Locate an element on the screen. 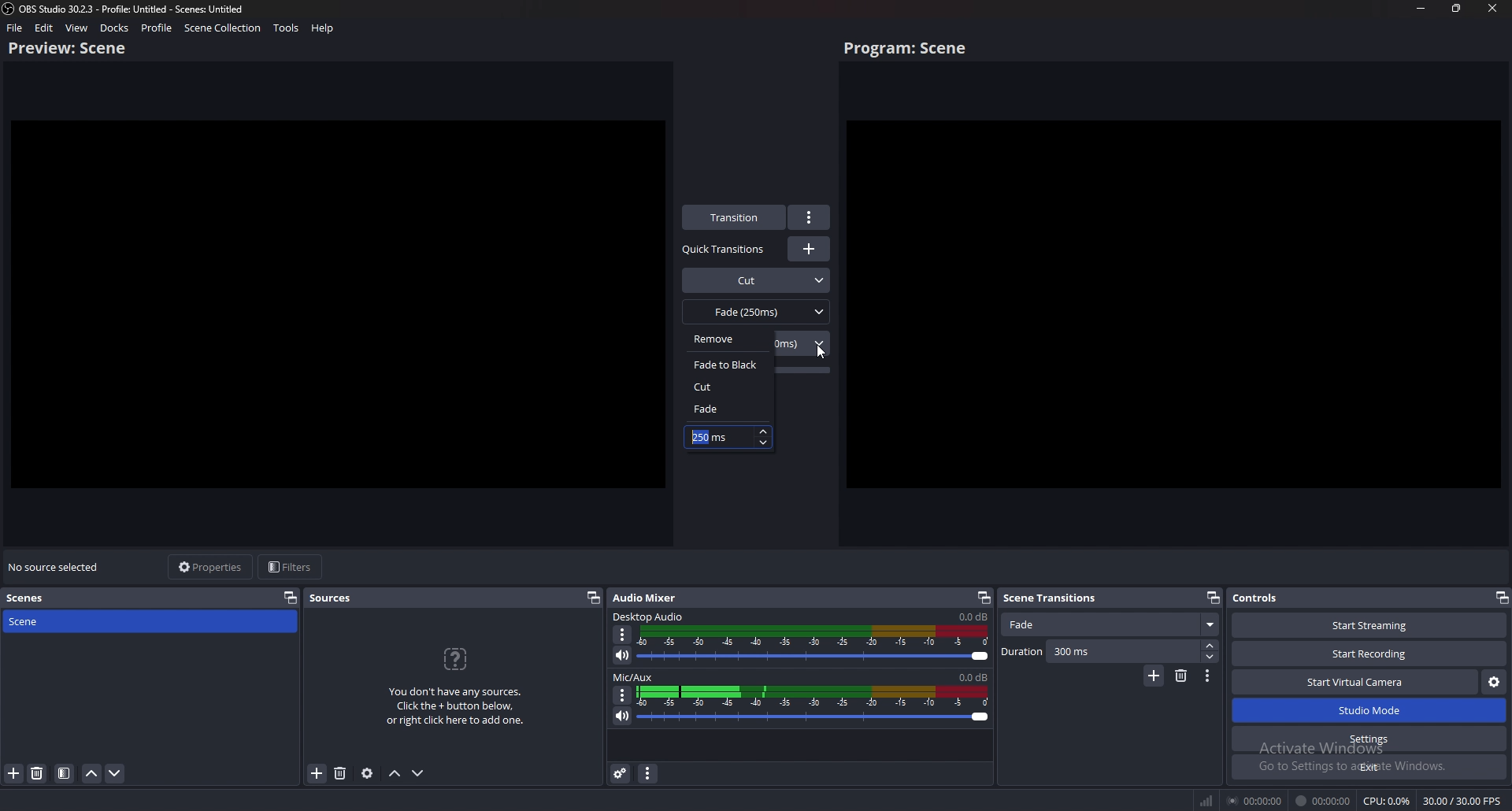 This screenshot has height=811, width=1512. Controls is located at coordinates (1279, 598).